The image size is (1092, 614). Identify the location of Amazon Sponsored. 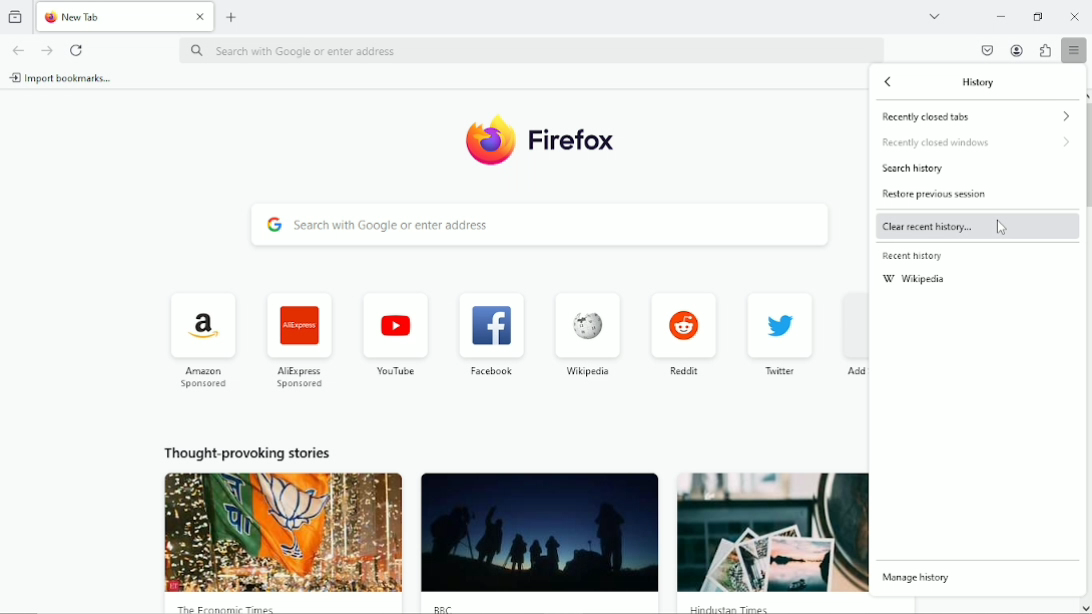
(206, 339).